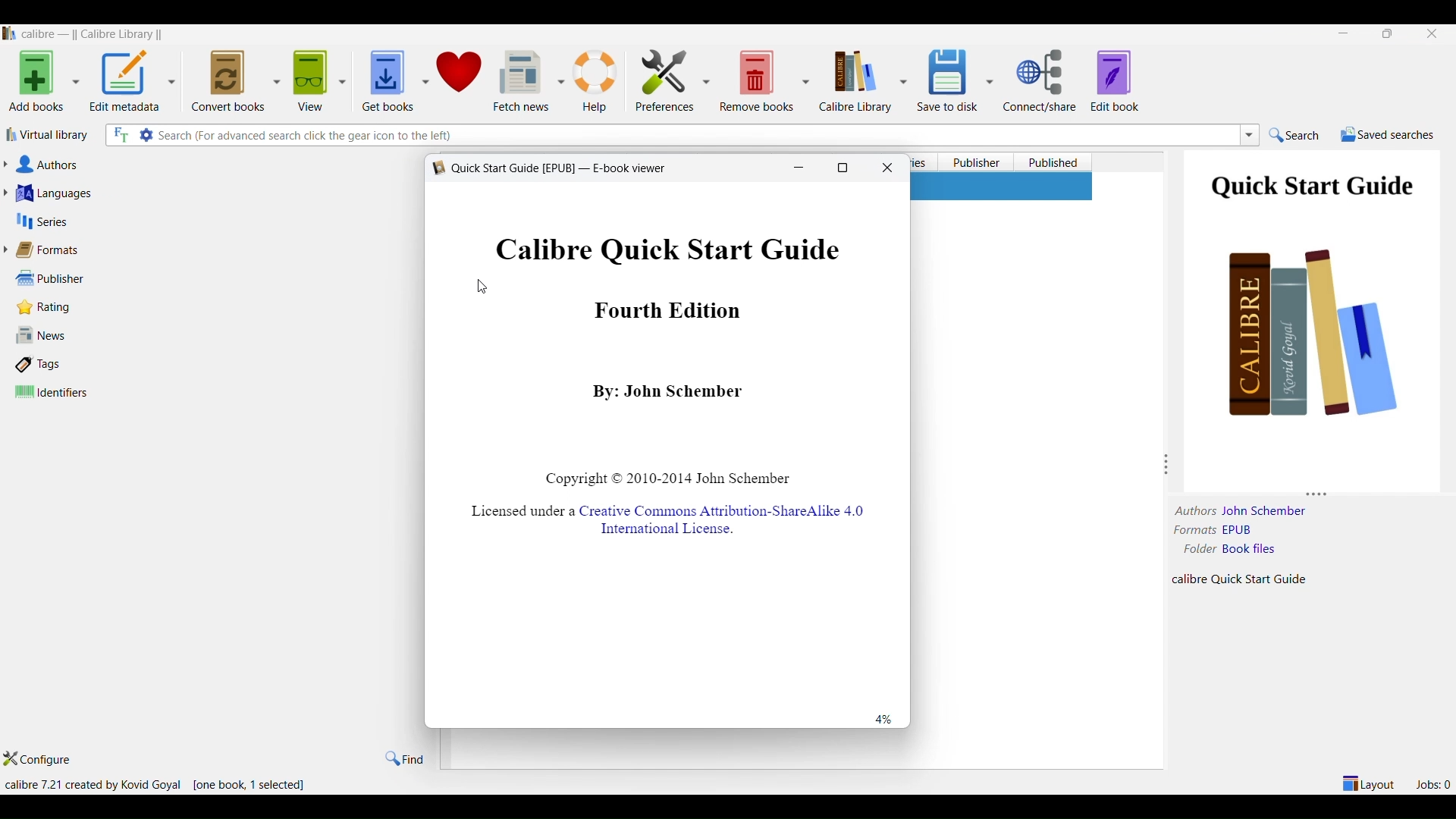 The height and width of the screenshot is (819, 1456). Describe the element at coordinates (252, 785) in the screenshot. I see `[one book, 1 selected]` at that location.